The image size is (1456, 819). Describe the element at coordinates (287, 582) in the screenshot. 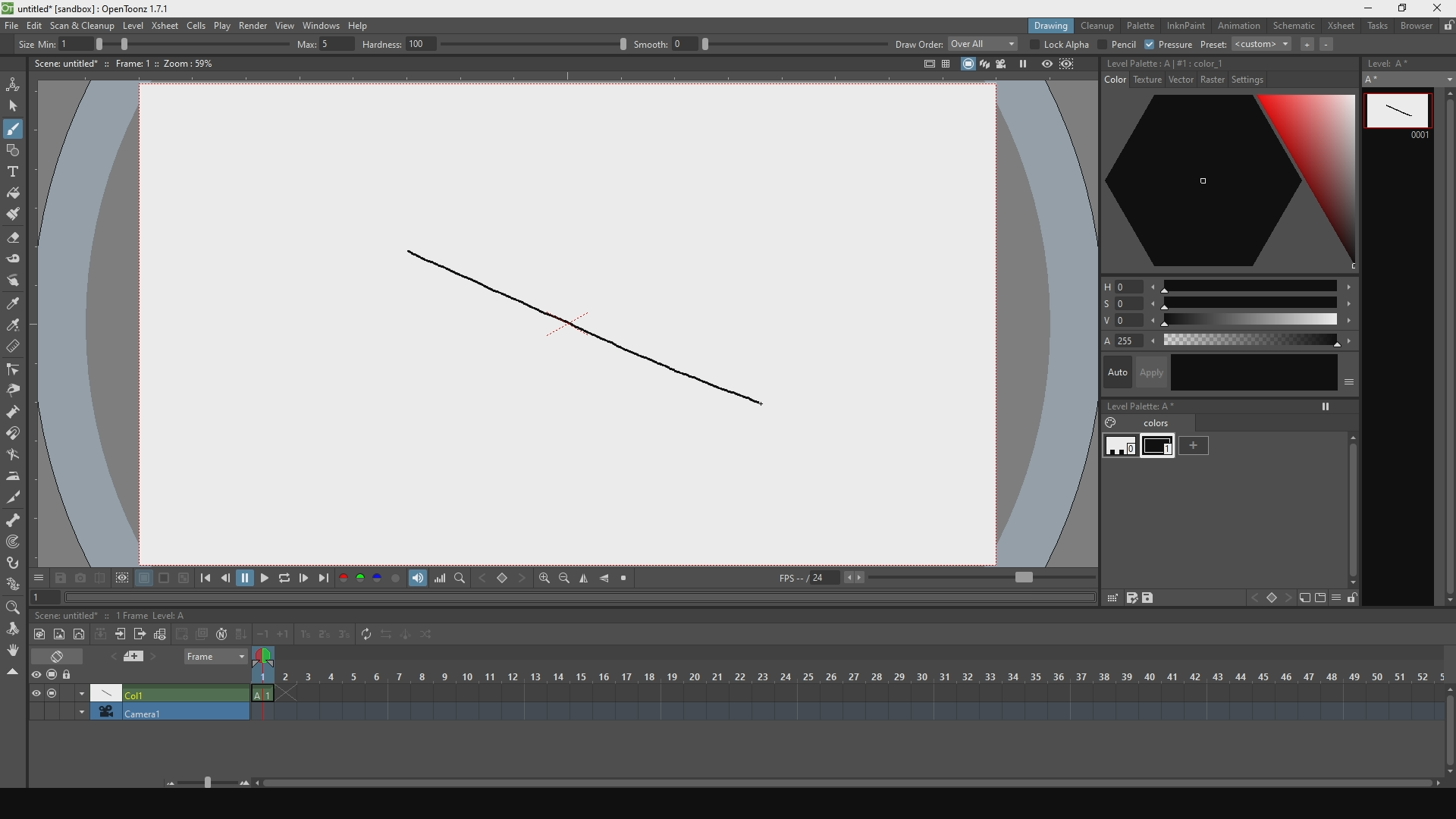

I see `replay` at that location.